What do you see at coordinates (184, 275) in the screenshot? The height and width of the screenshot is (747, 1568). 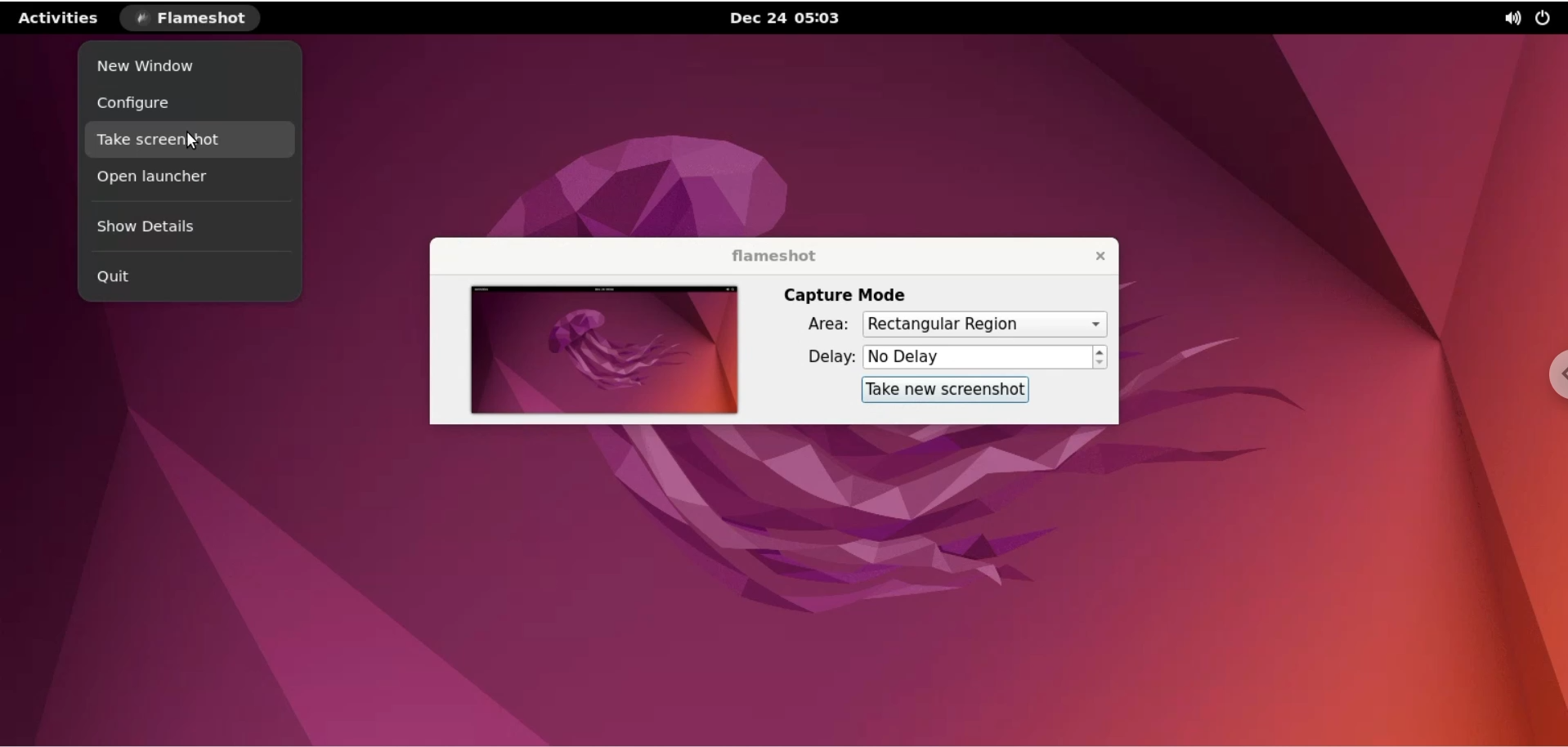 I see `quit` at bounding box center [184, 275].